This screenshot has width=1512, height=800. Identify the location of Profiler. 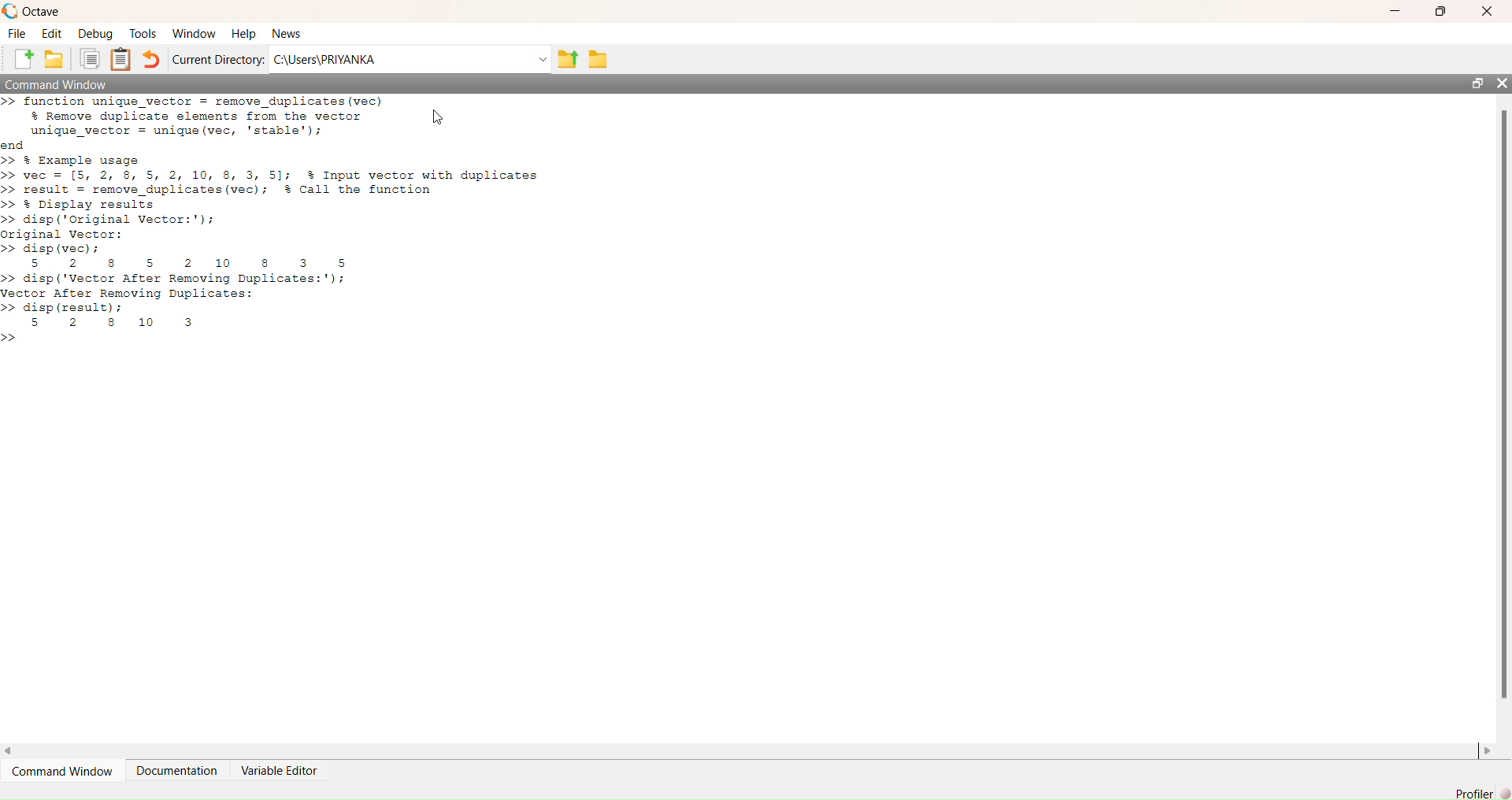
(1483, 793).